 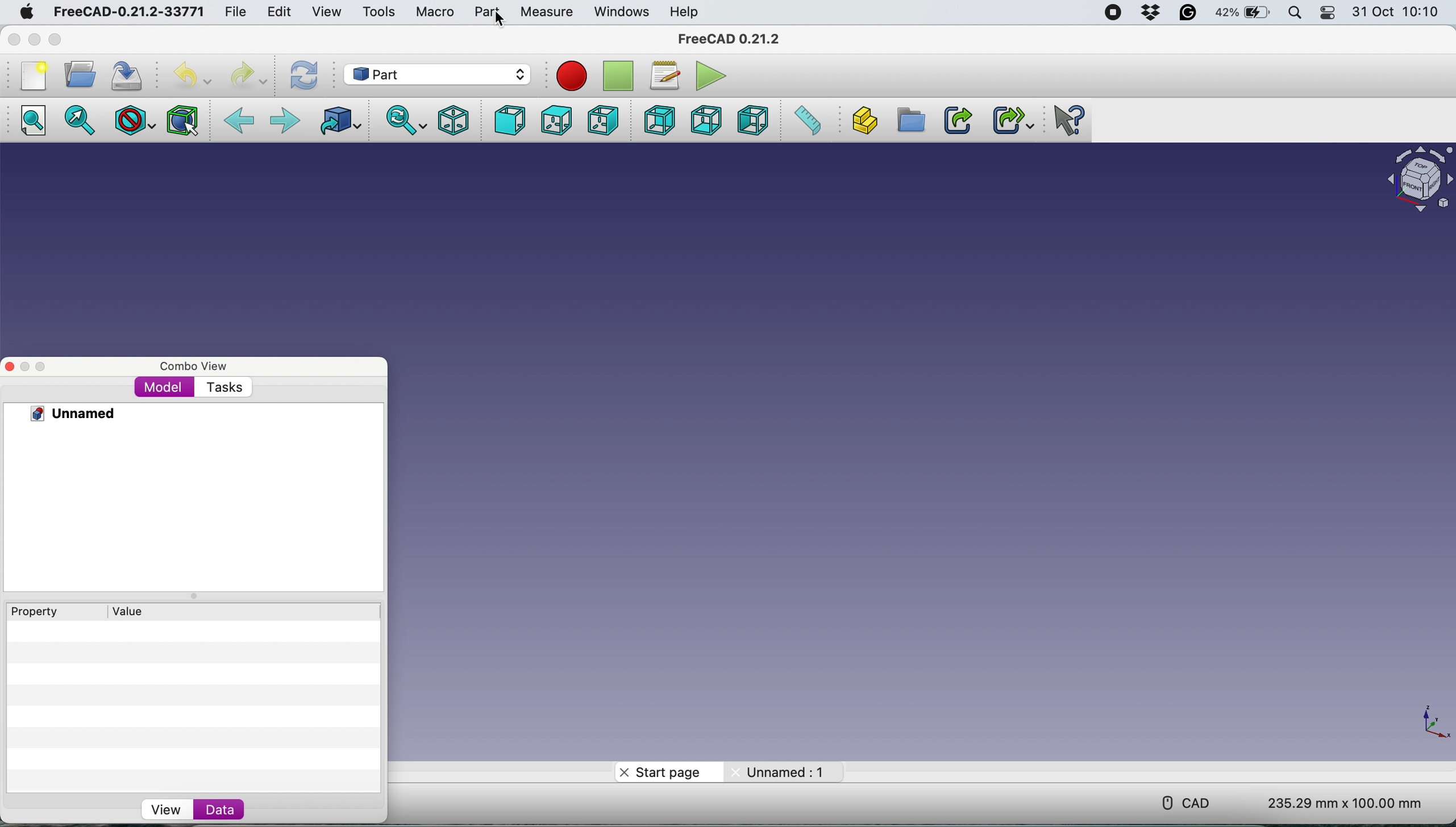 What do you see at coordinates (753, 120) in the screenshot?
I see `Left` at bounding box center [753, 120].